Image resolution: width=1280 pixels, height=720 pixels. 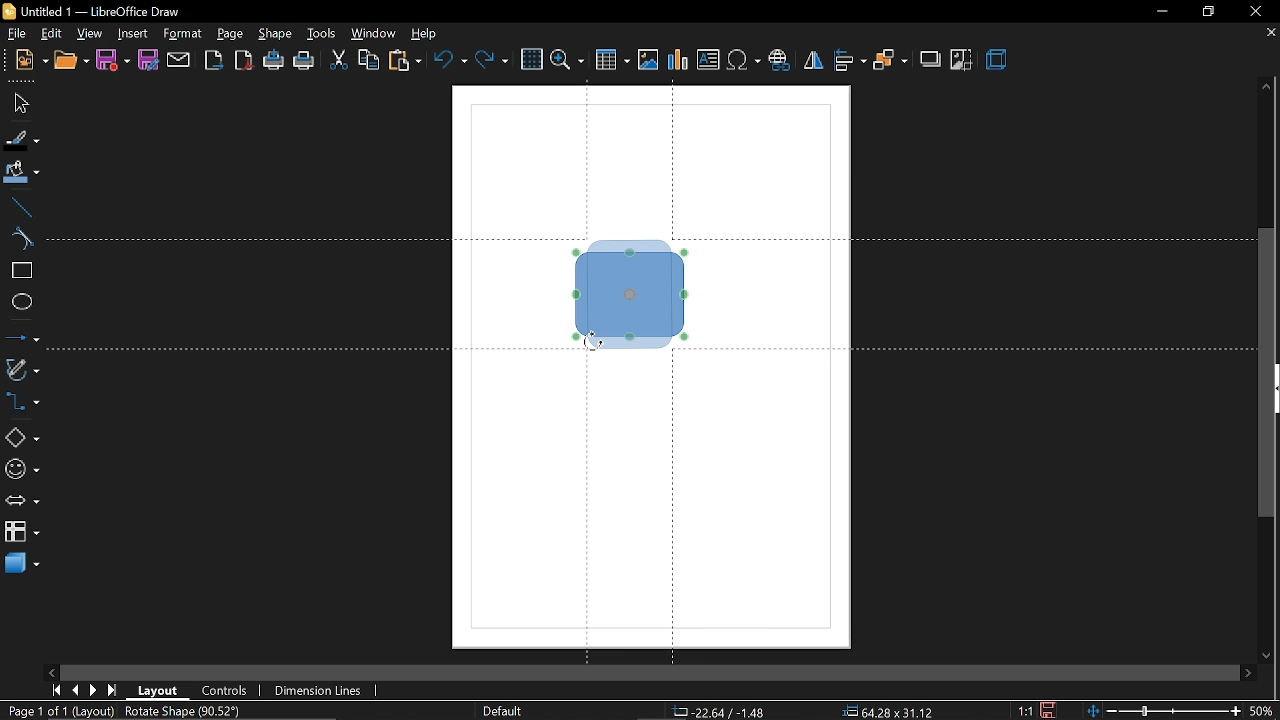 What do you see at coordinates (532, 59) in the screenshot?
I see `grid` at bounding box center [532, 59].